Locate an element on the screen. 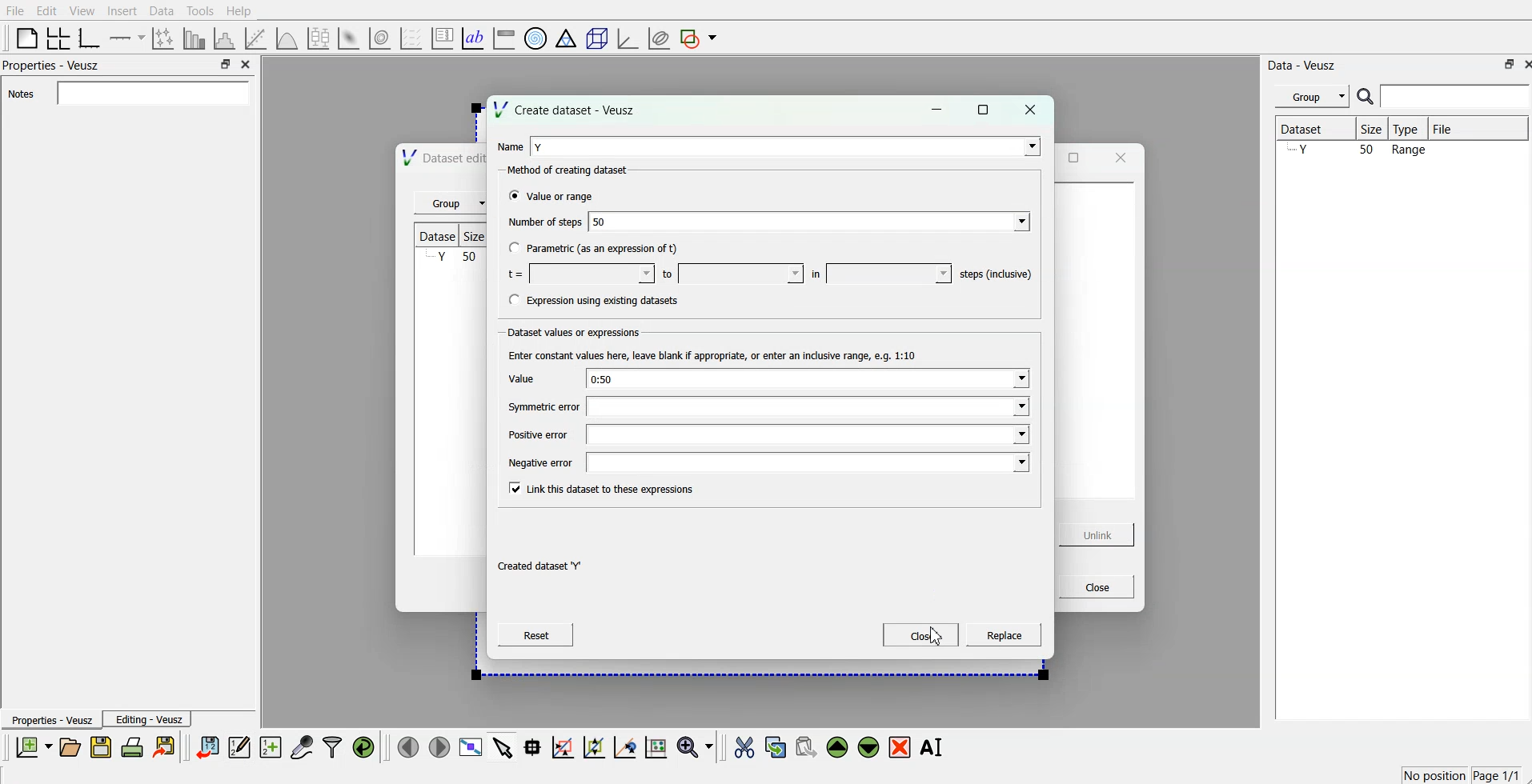 This screenshot has width=1532, height=784. No position is located at coordinates (1432, 777).